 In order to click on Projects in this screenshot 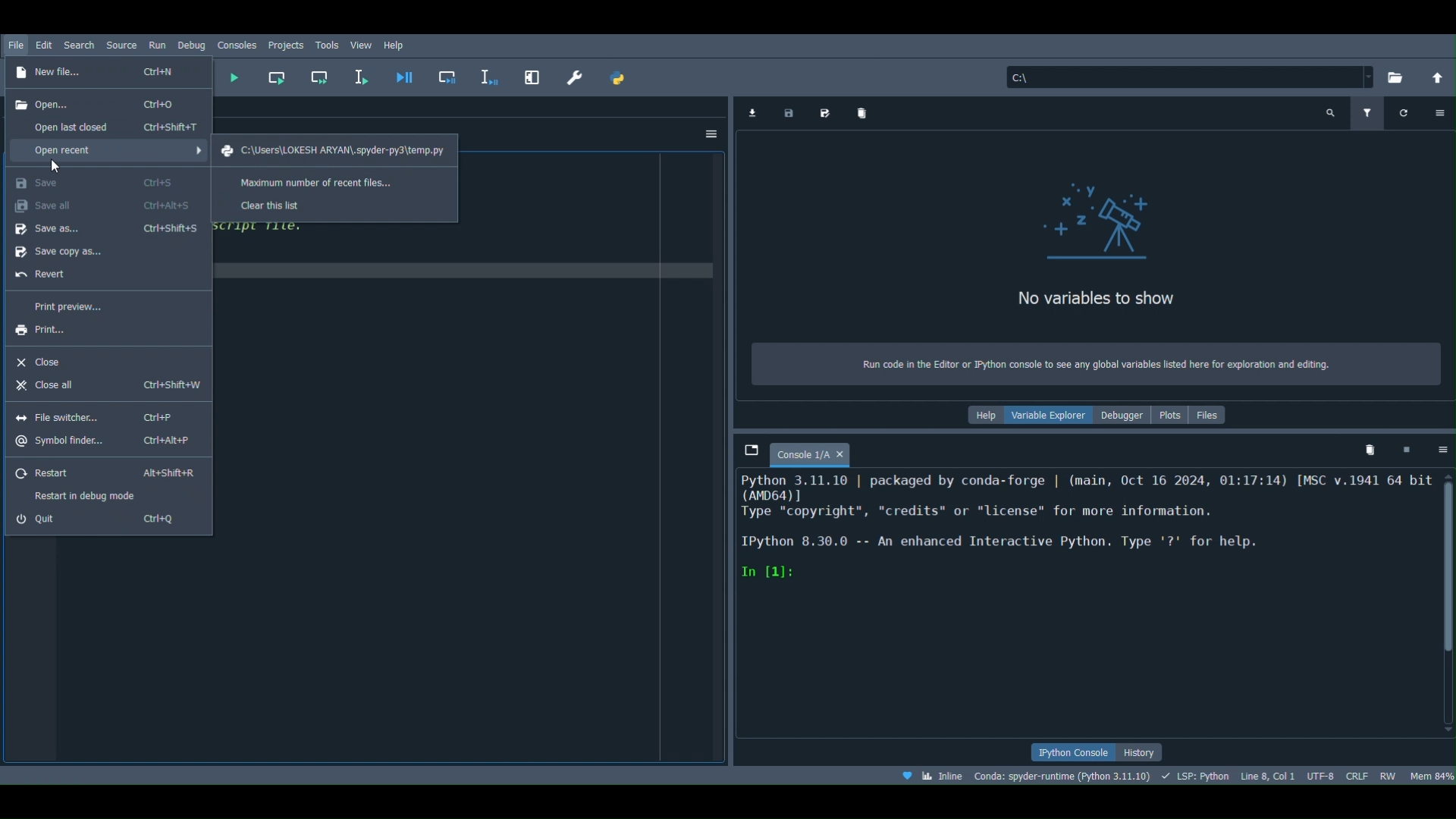, I will do `click(288, 43)`.